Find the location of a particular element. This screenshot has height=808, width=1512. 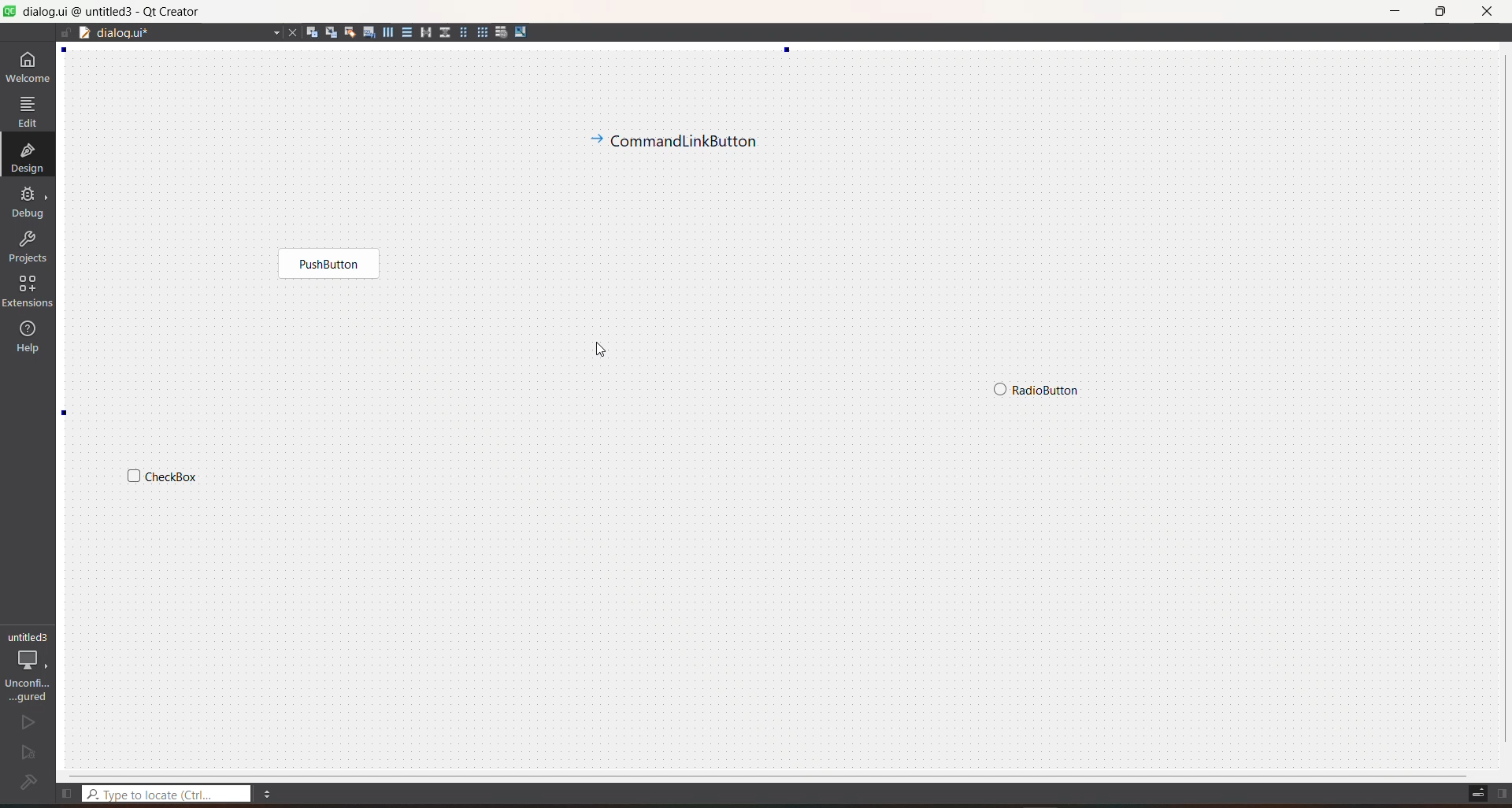

debug is located at coordinates (28, 202).